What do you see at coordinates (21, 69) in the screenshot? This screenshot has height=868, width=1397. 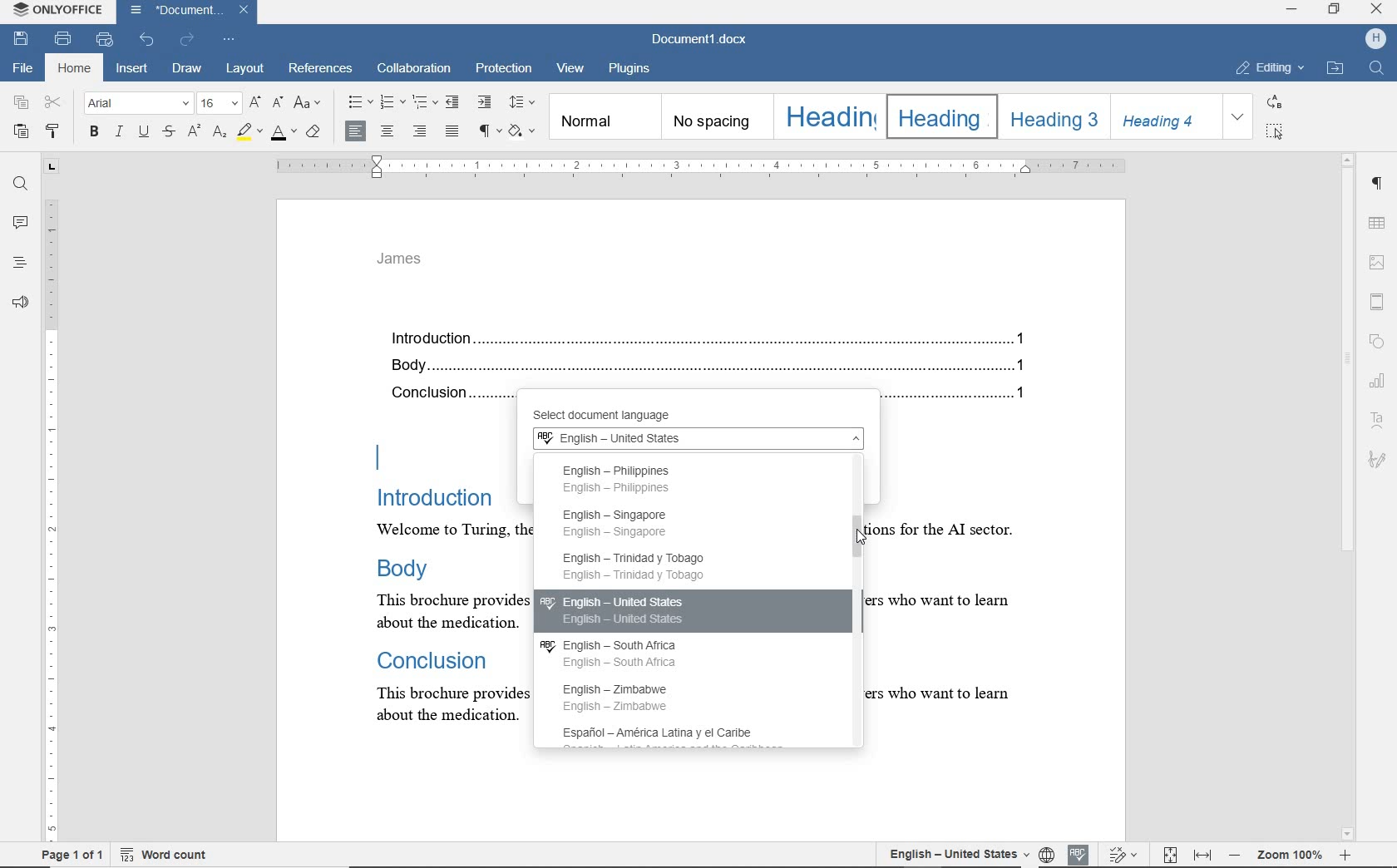 I see `file` at bounding box center [21, 69].